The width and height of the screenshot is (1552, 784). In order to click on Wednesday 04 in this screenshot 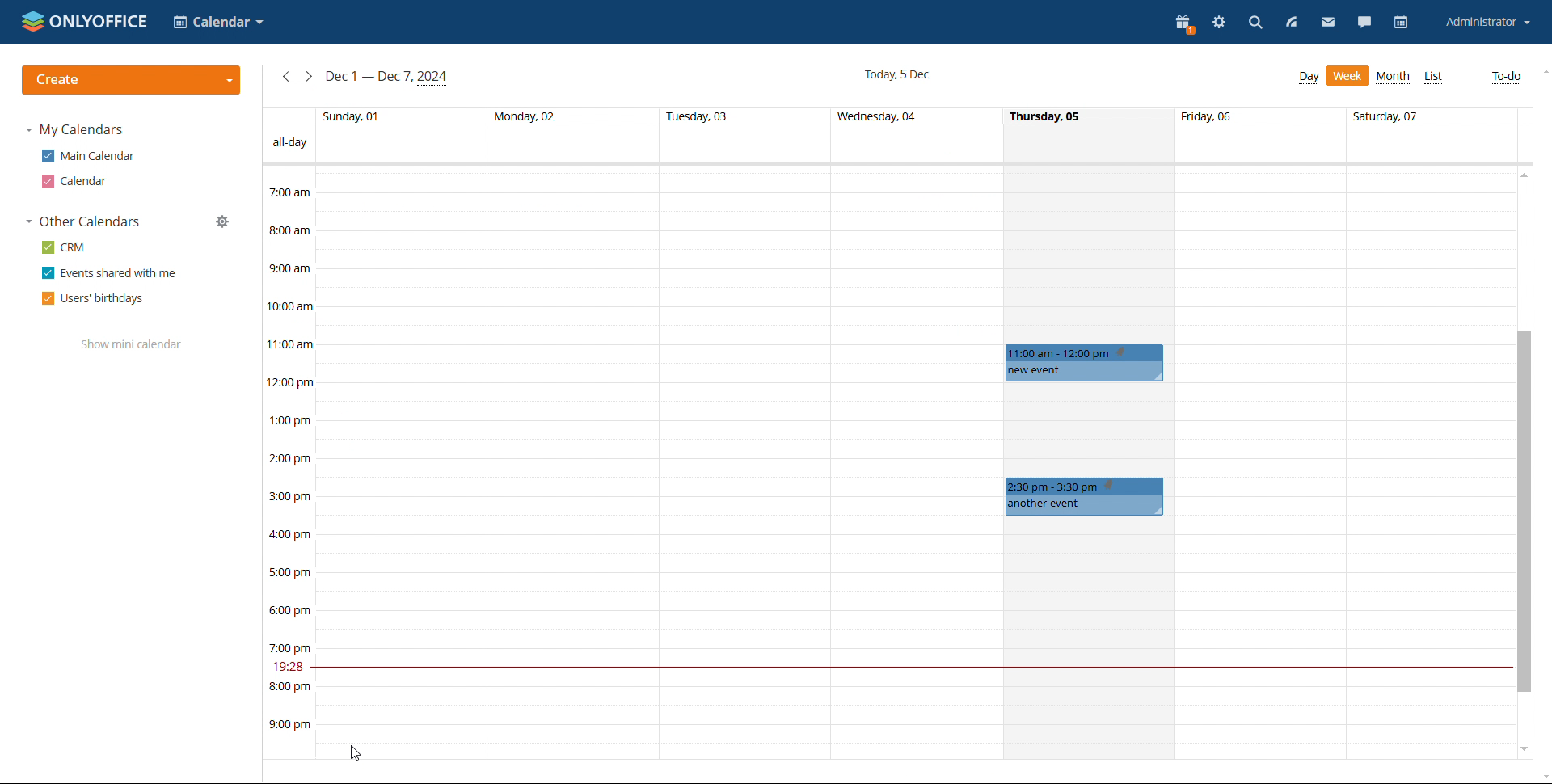, I will do `click(883, 116)`.